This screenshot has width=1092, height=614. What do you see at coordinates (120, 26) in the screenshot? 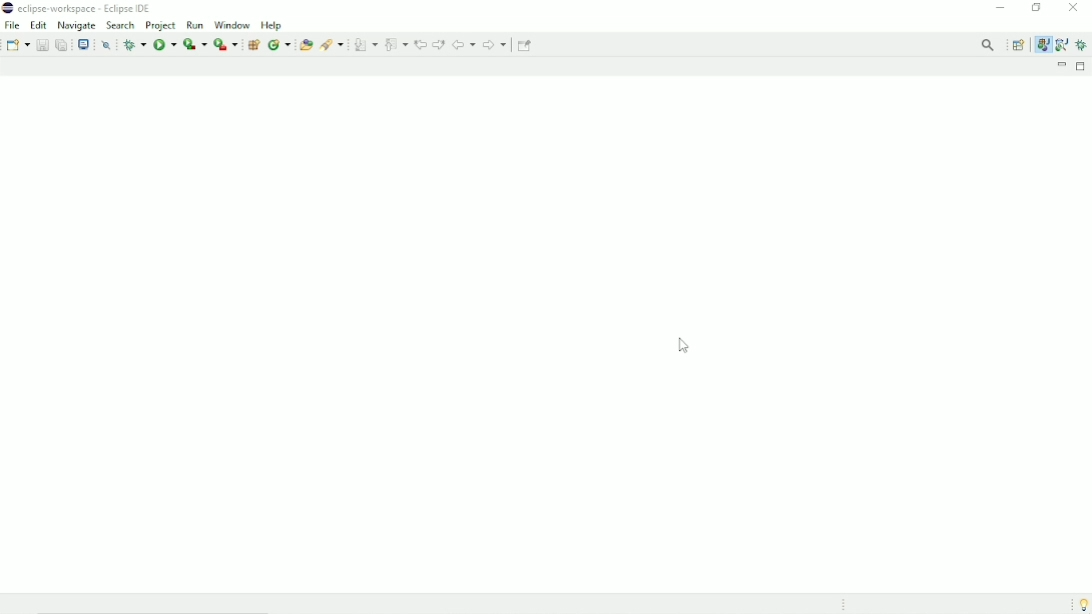
I see `Search` at bounding box center [120, 26].